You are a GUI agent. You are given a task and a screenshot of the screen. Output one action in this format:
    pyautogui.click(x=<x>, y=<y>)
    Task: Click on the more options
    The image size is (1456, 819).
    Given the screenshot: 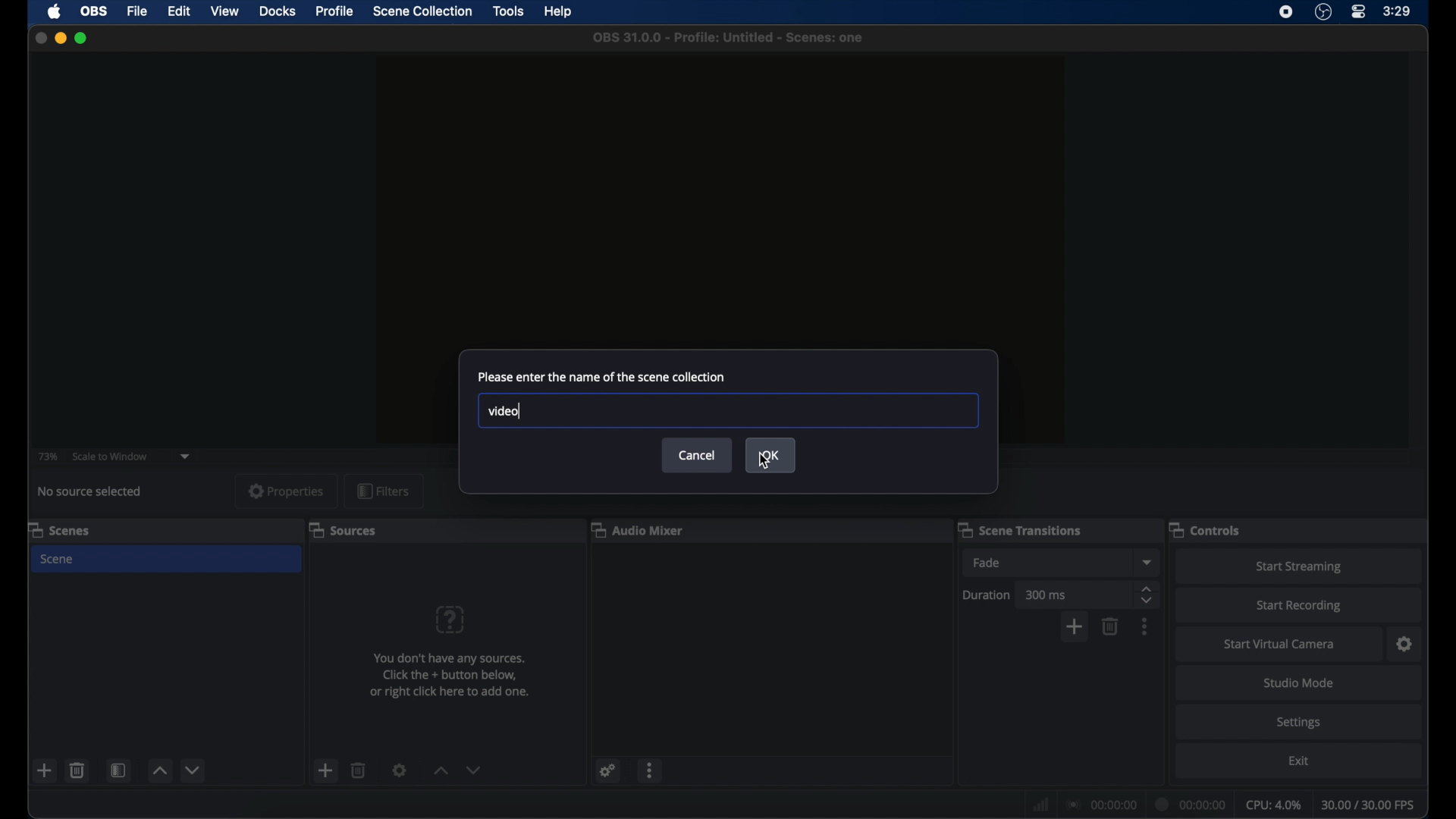 What is the action you would take?
    pyautogui.click(x=651, y=770)
    